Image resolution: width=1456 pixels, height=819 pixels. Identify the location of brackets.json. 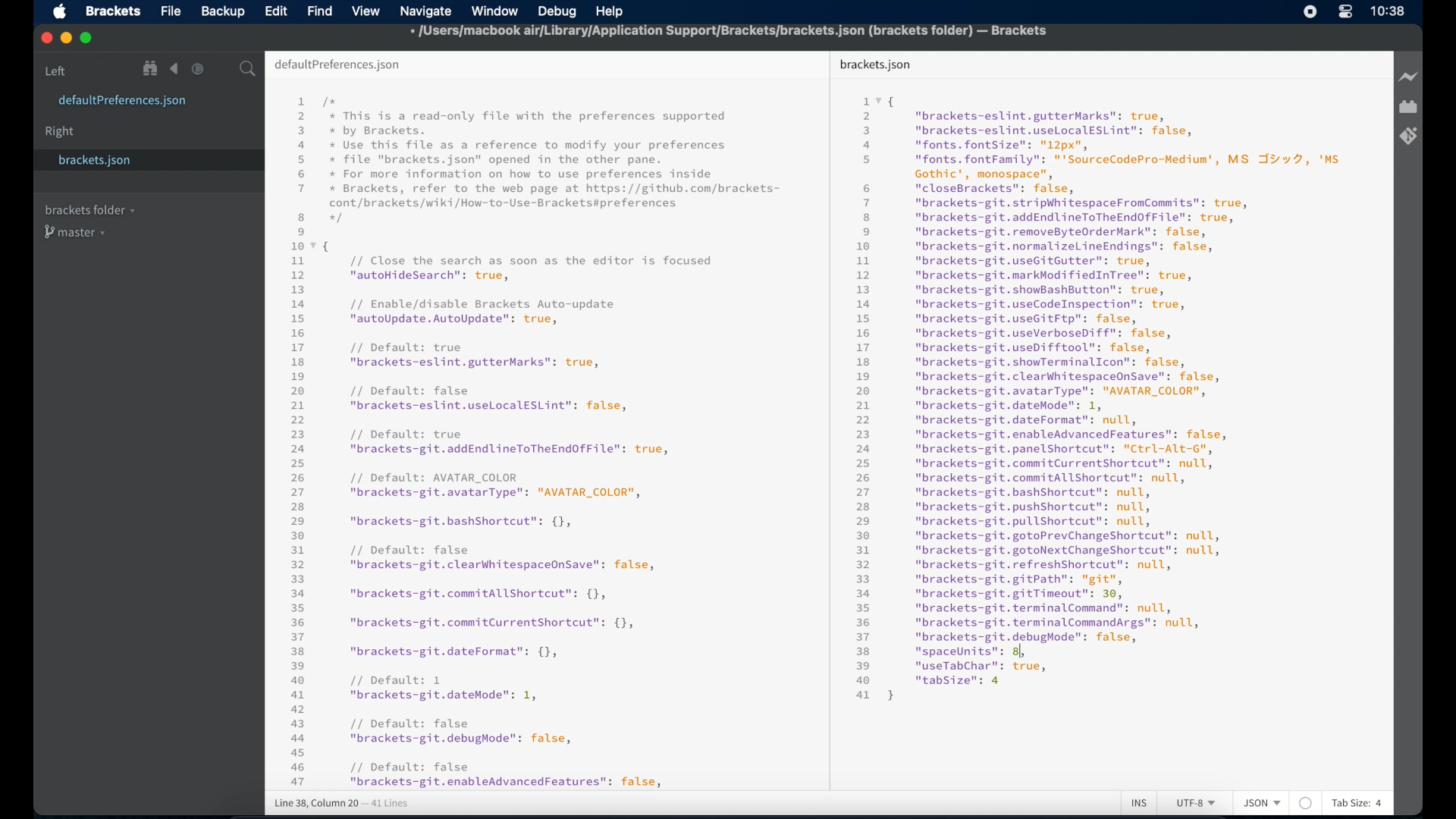
(875, 65).